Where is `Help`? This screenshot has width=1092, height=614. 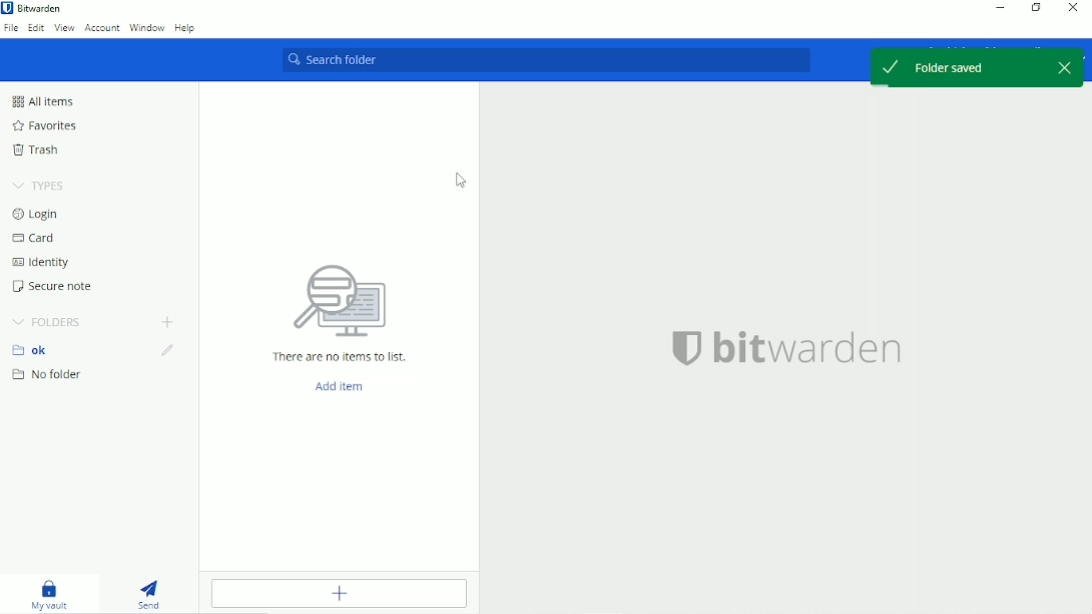
Help is located at coordinates (187, 28).